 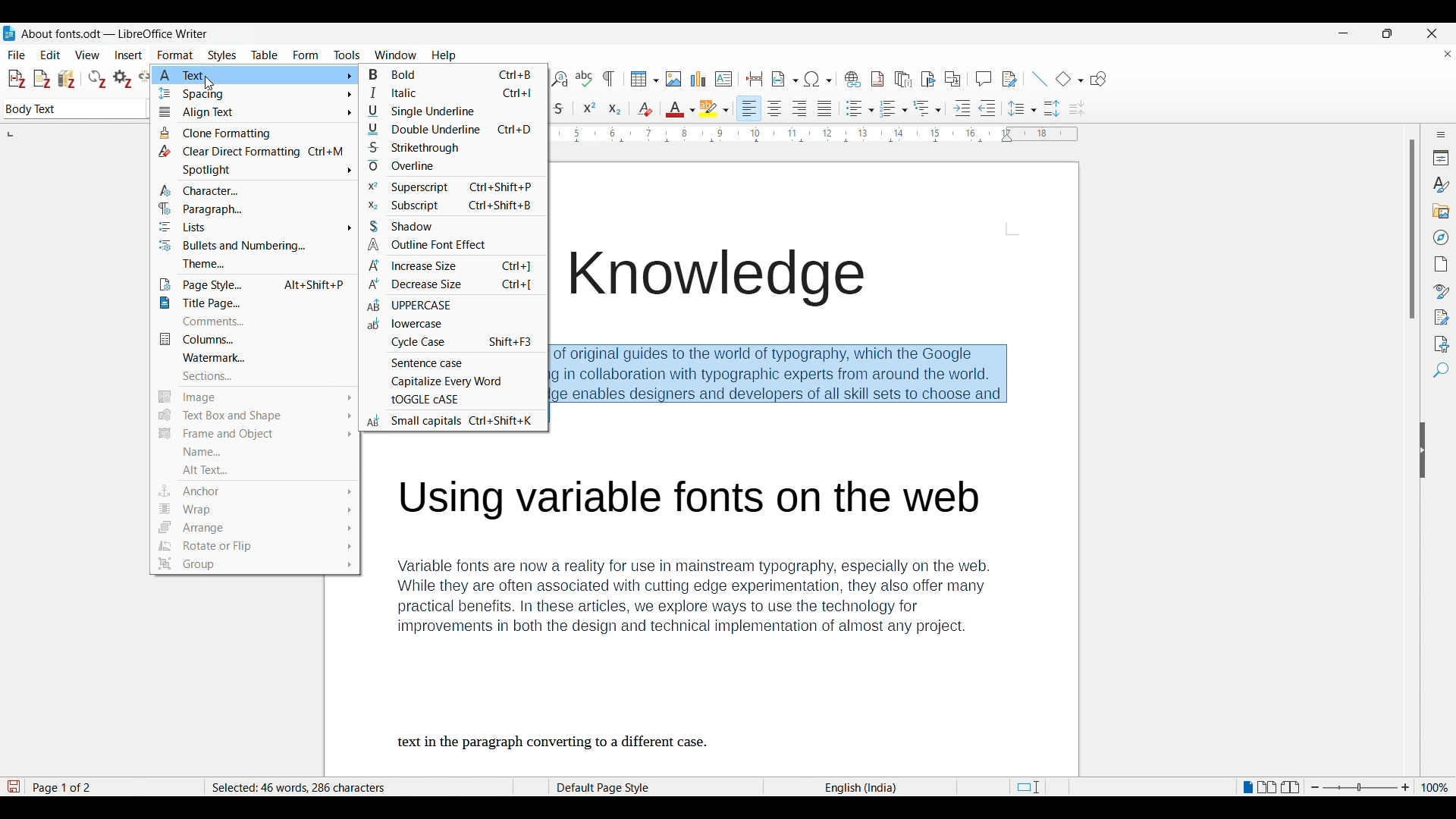 What do you see at coordinates (88, 55) in the screenshot?
I see `View menu` at bounding box center [88, 55].